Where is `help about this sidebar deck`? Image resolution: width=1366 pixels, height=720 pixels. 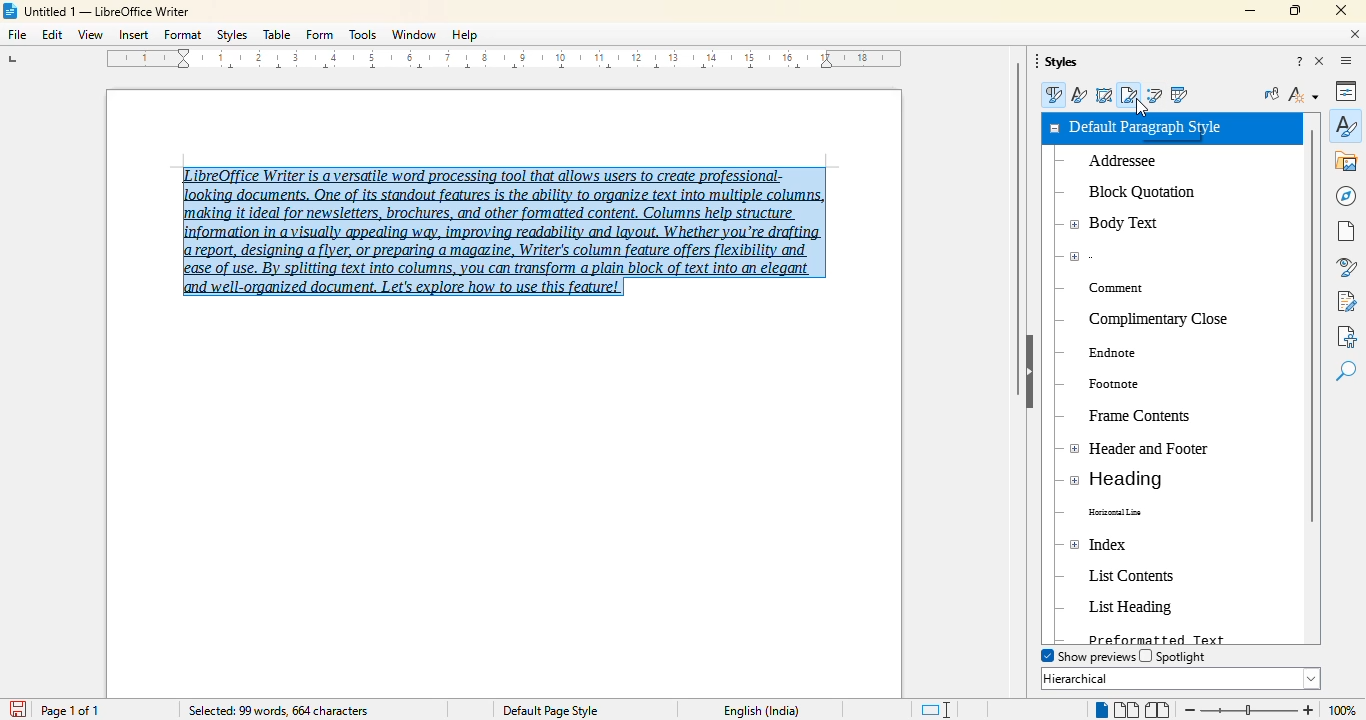 help about this sidebar deck is located at coordinates (1300, 62).